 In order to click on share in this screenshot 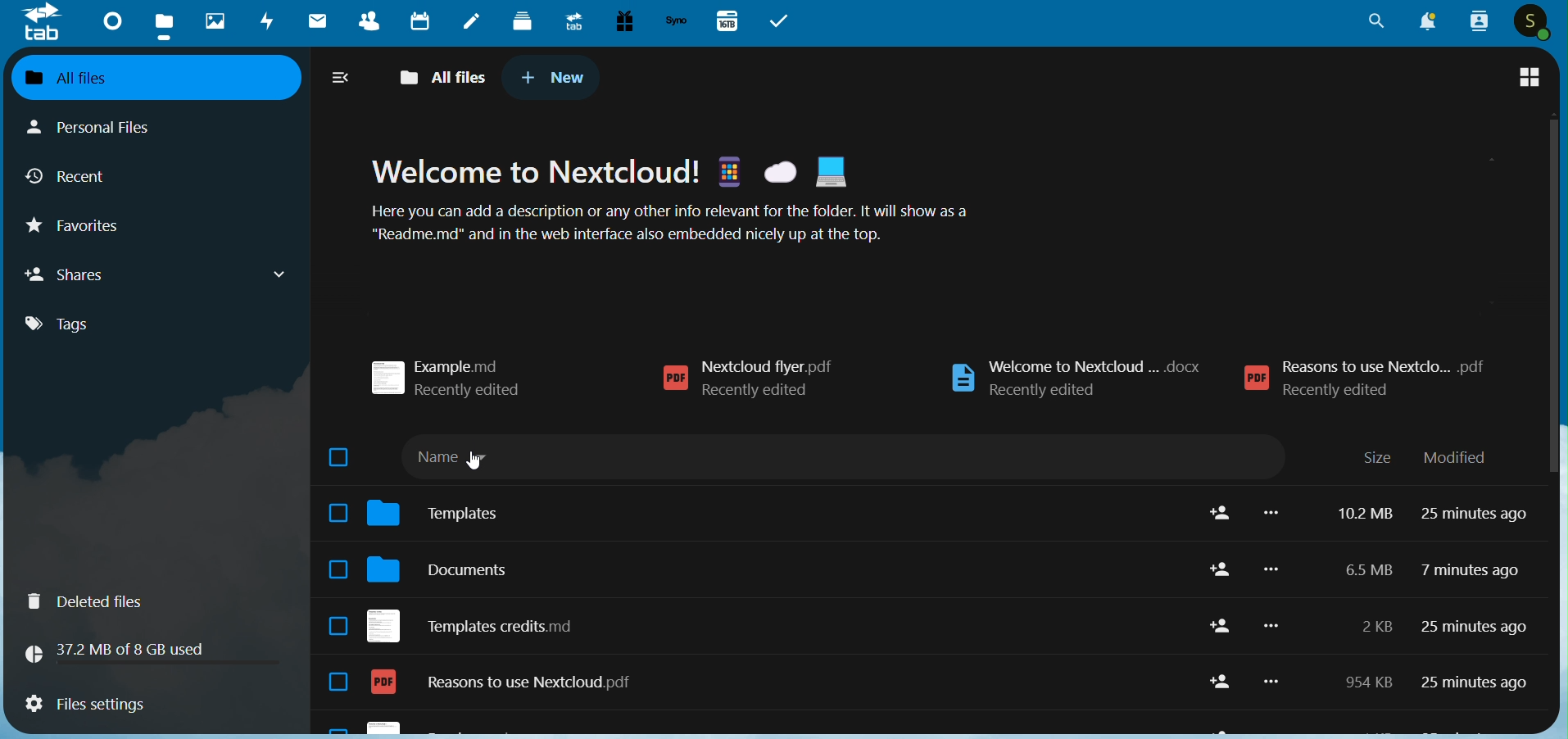, I will do `click(1216, 601)`.